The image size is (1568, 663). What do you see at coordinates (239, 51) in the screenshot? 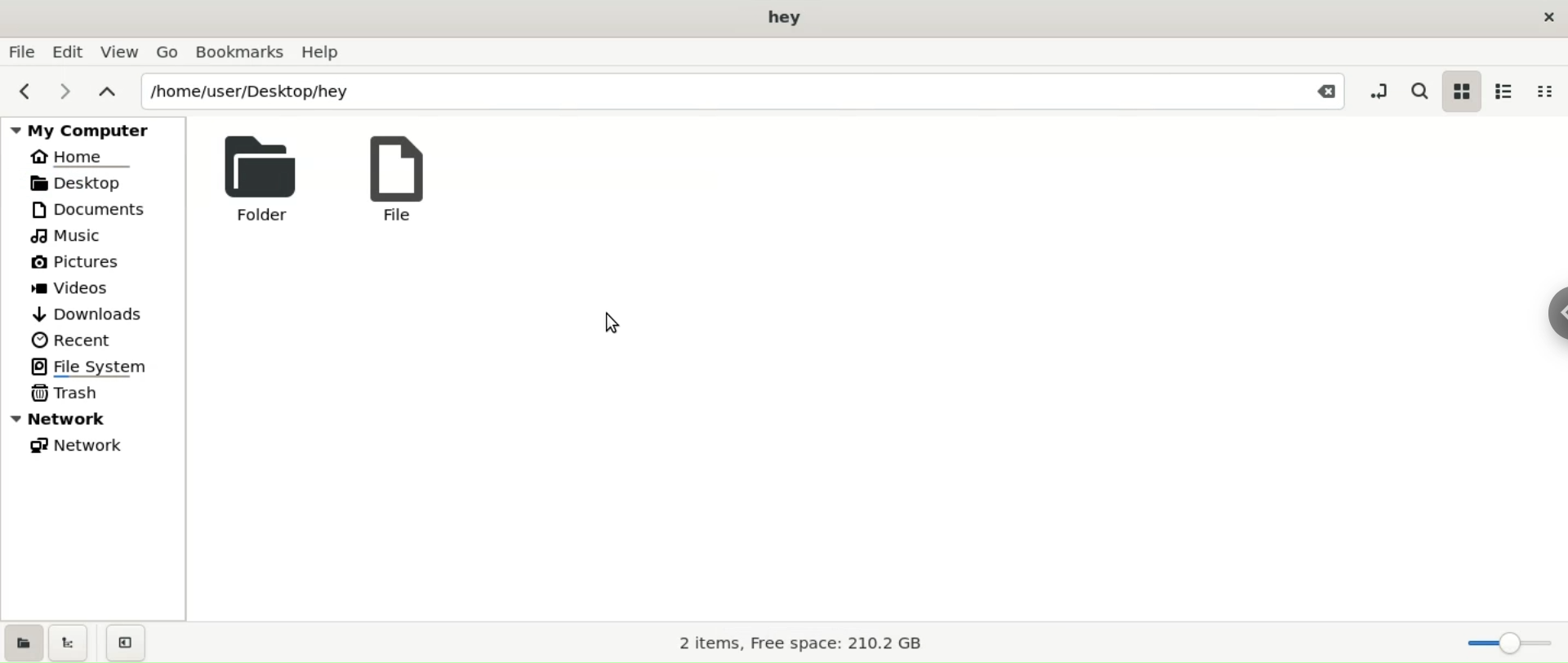
I see `bookamarks` at bounding box center [239, 51].